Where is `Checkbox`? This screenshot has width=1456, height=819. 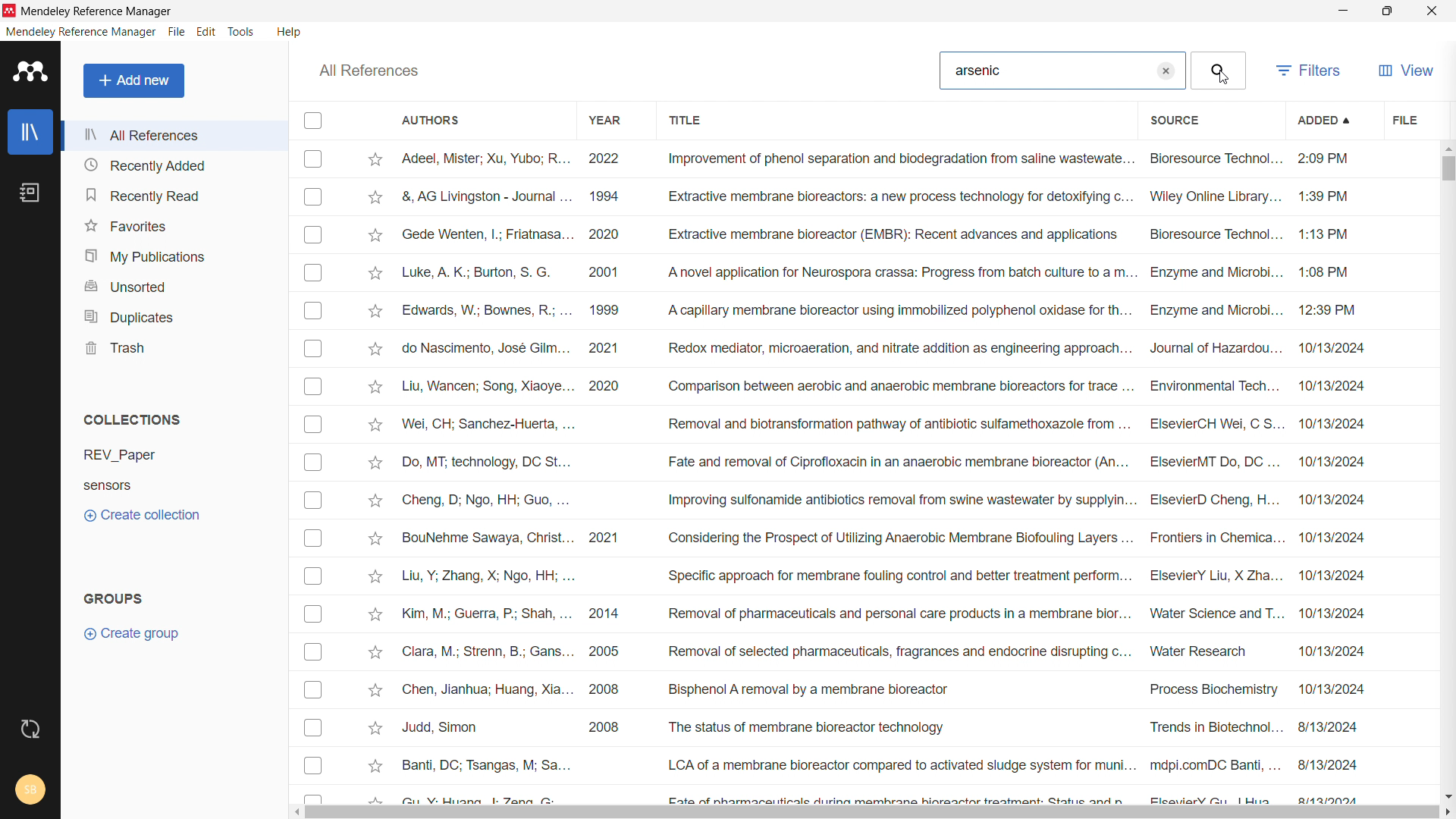
Checkbox is located at coordinates (314, 197).